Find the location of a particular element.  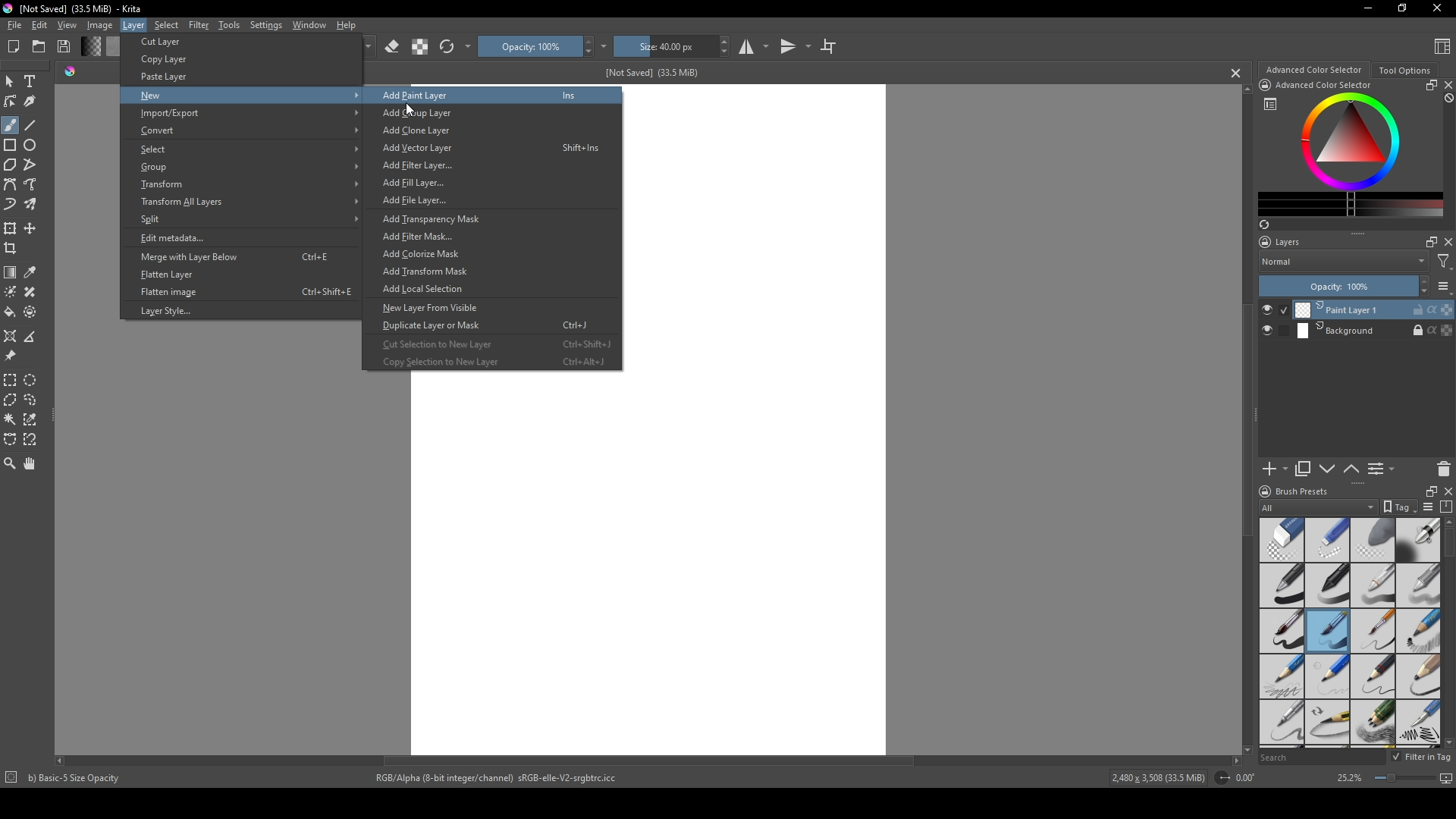

Flatten image is located at coordinates (247, 292).